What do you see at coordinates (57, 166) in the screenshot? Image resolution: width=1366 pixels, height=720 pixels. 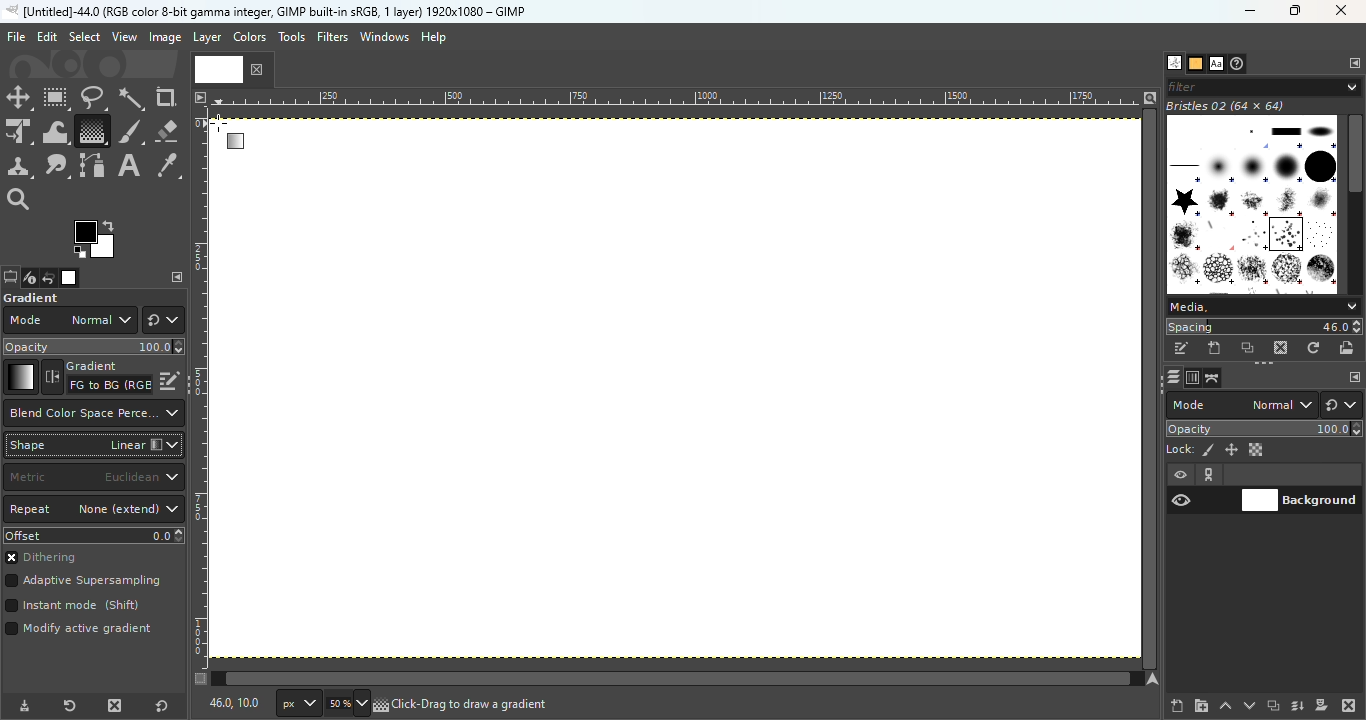 I see `Smudge tool` at bounding box center [57, 166].